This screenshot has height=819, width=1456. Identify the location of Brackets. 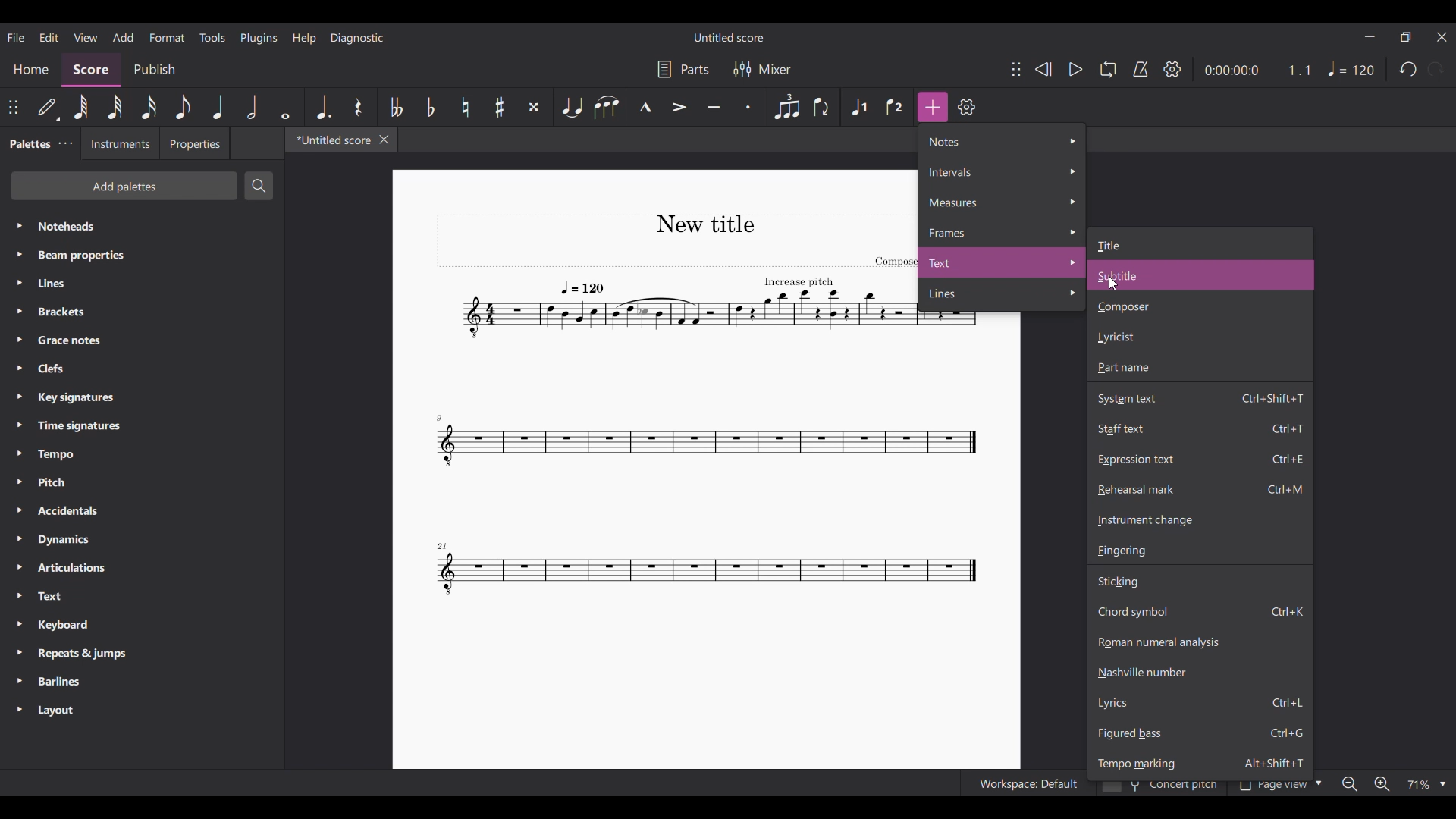
(142, 312).